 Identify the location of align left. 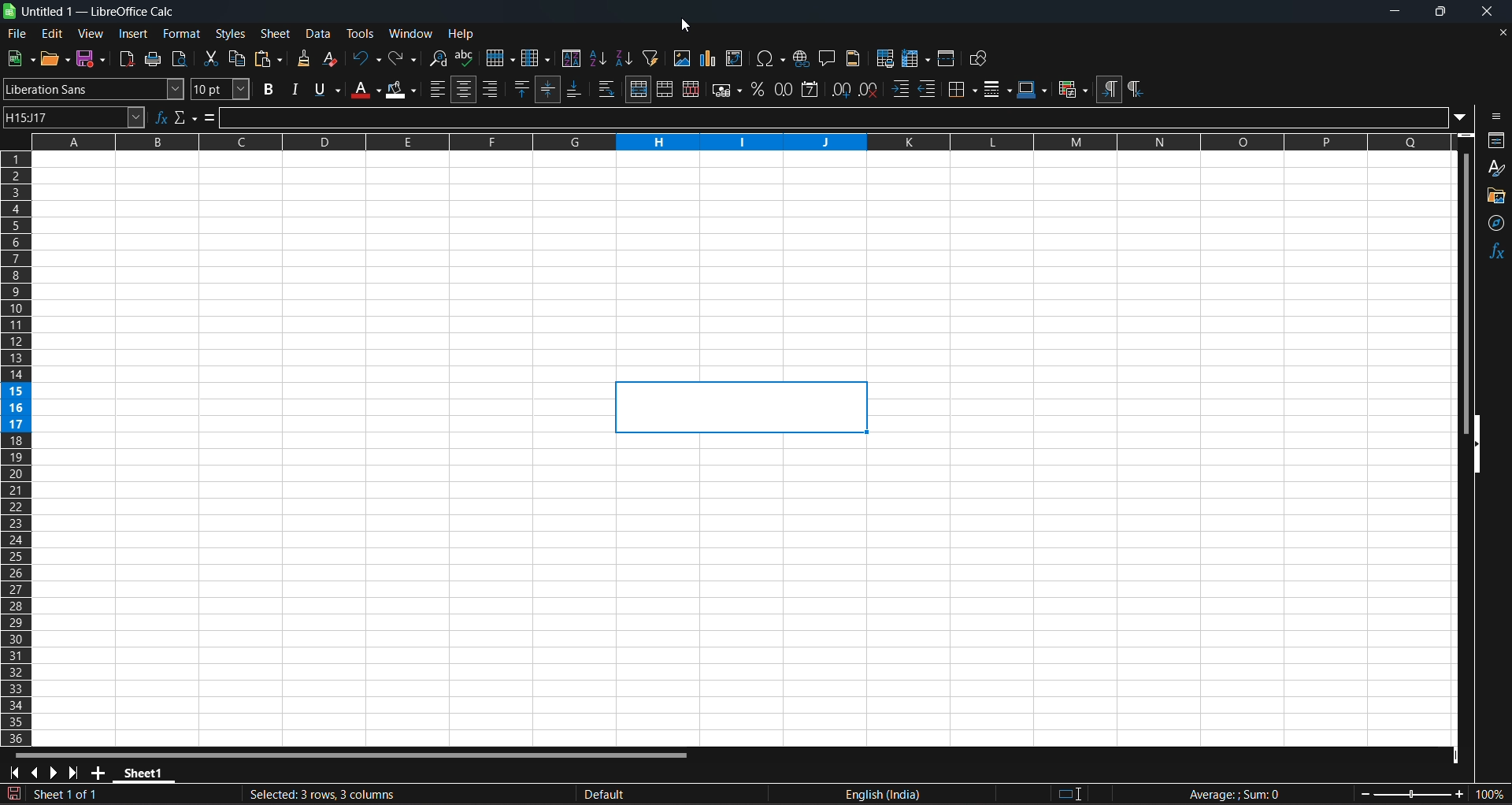
(438, 89).